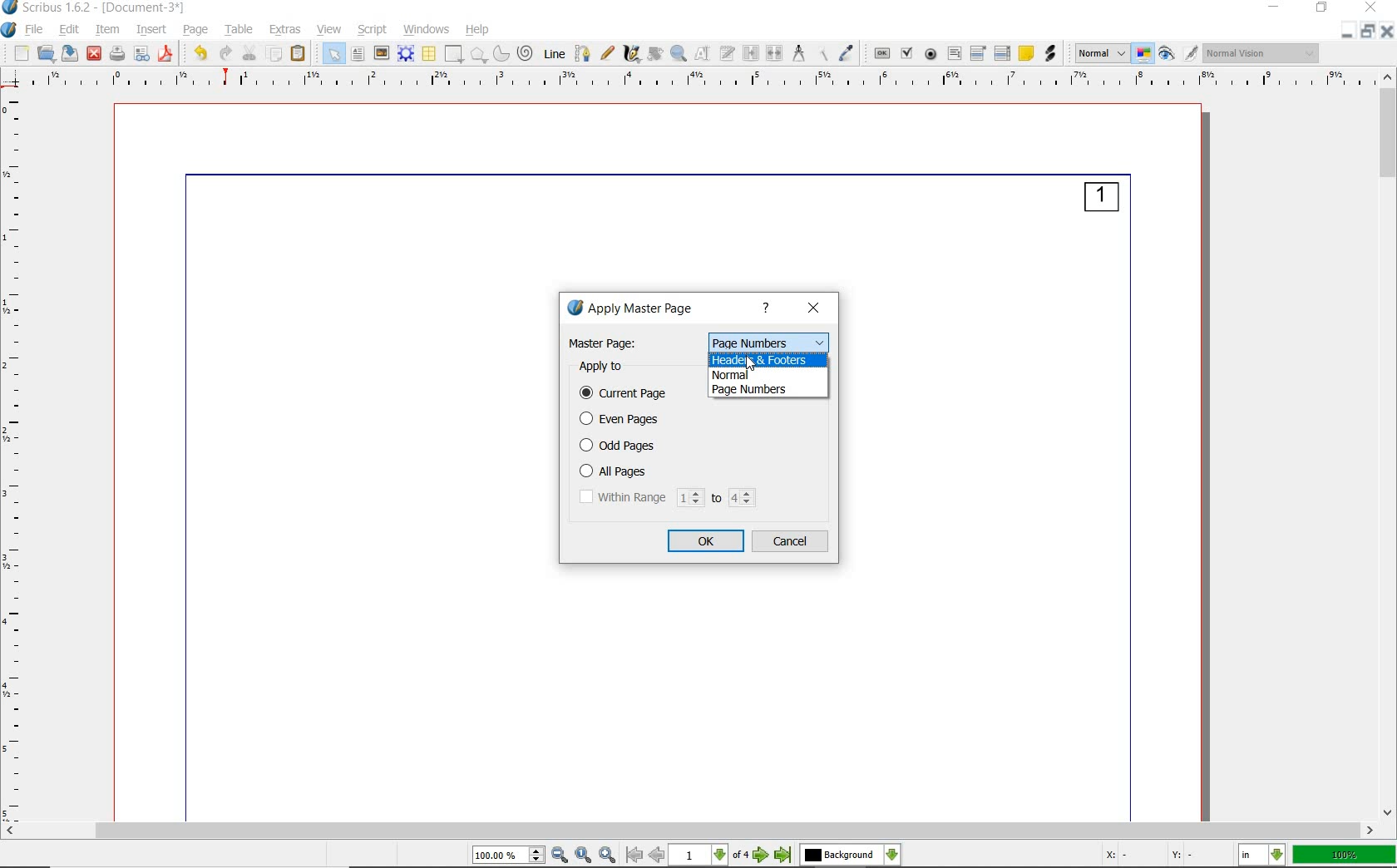  I want to click on view, so click(329, 28).